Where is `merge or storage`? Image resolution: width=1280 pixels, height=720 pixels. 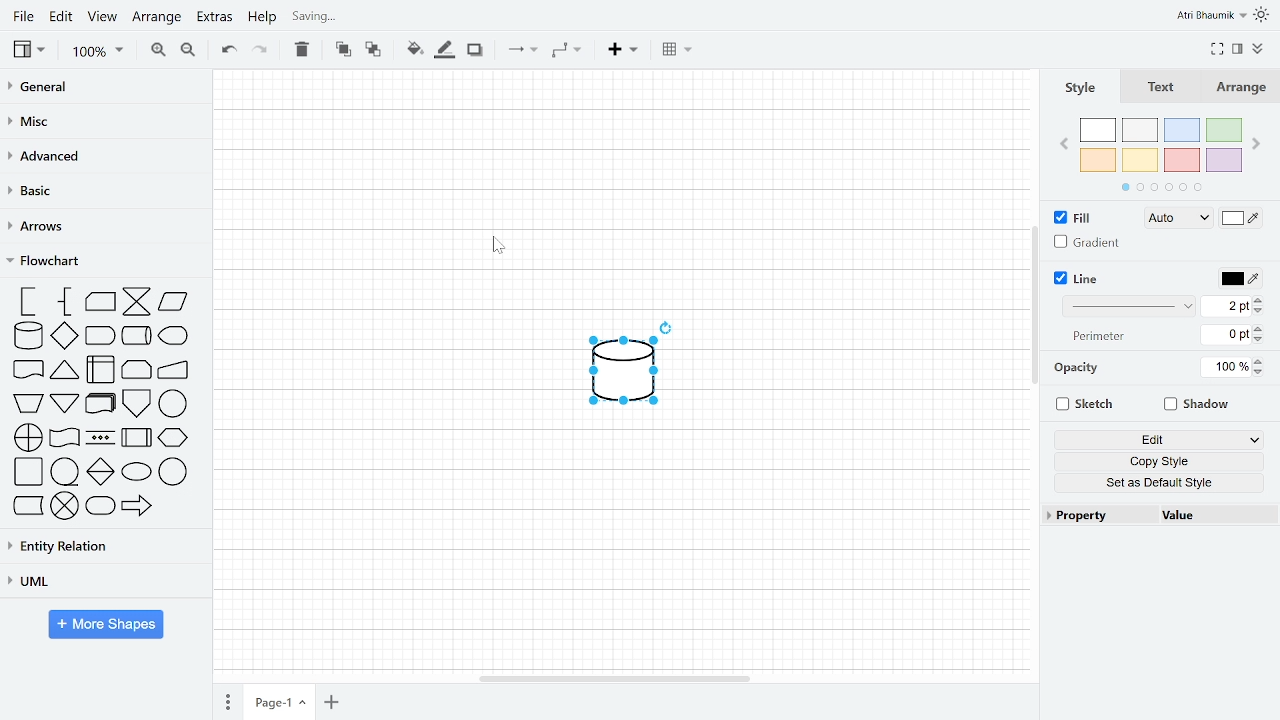 merge or storage is located at coordinates (65, 404).